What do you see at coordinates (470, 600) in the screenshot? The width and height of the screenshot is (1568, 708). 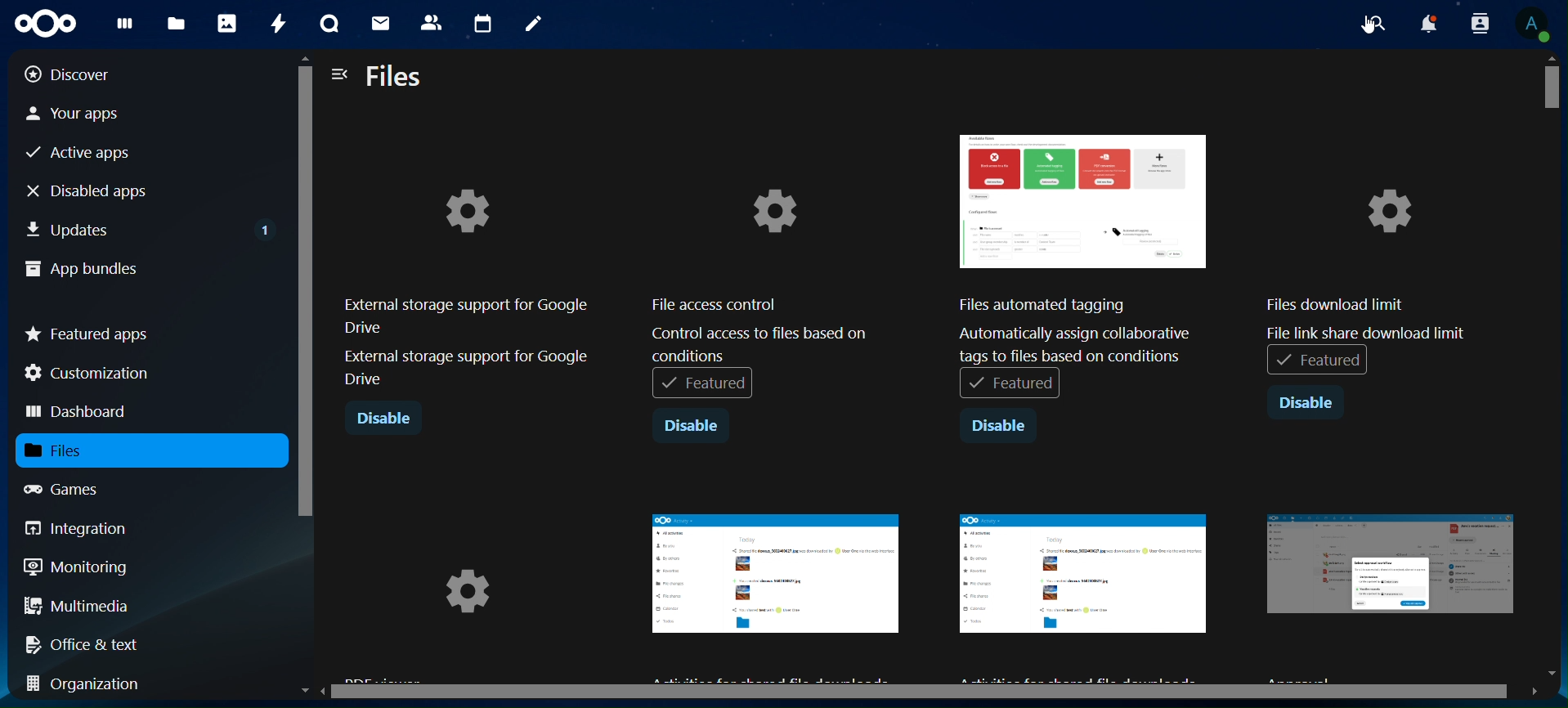 I see `image` at bounding box center [470, 600].